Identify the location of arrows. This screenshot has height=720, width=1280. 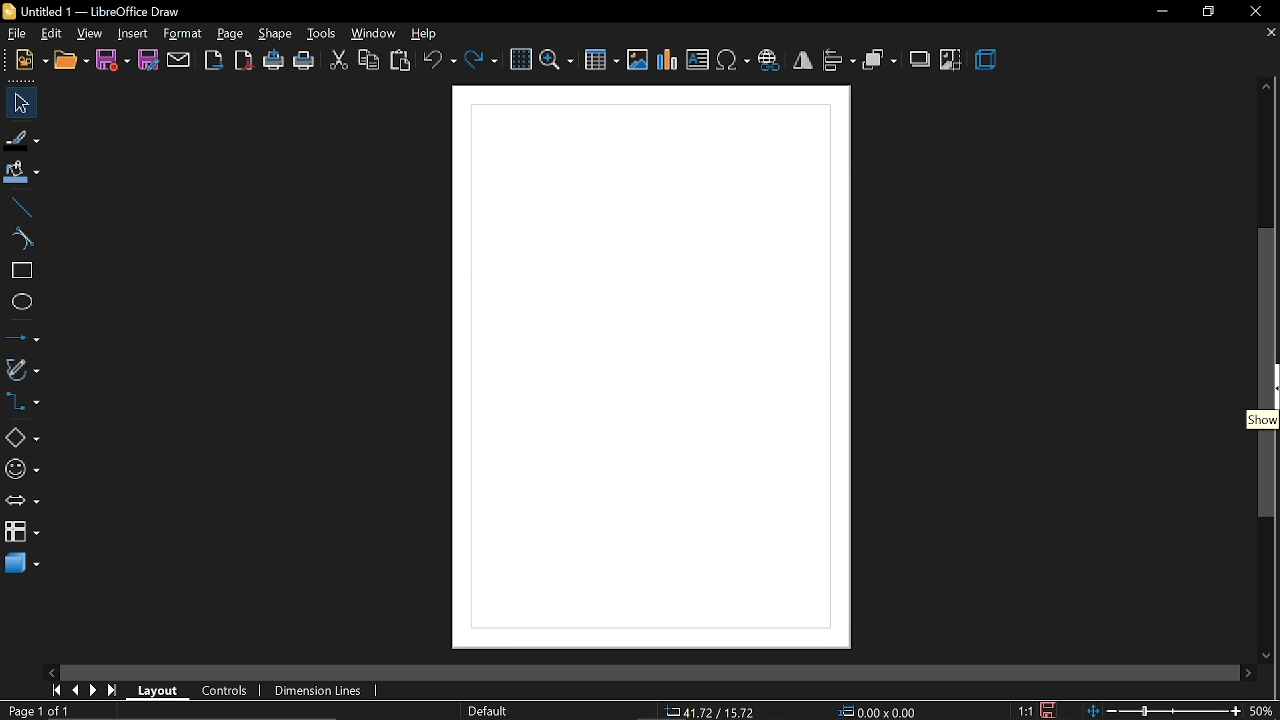
(22, 503).